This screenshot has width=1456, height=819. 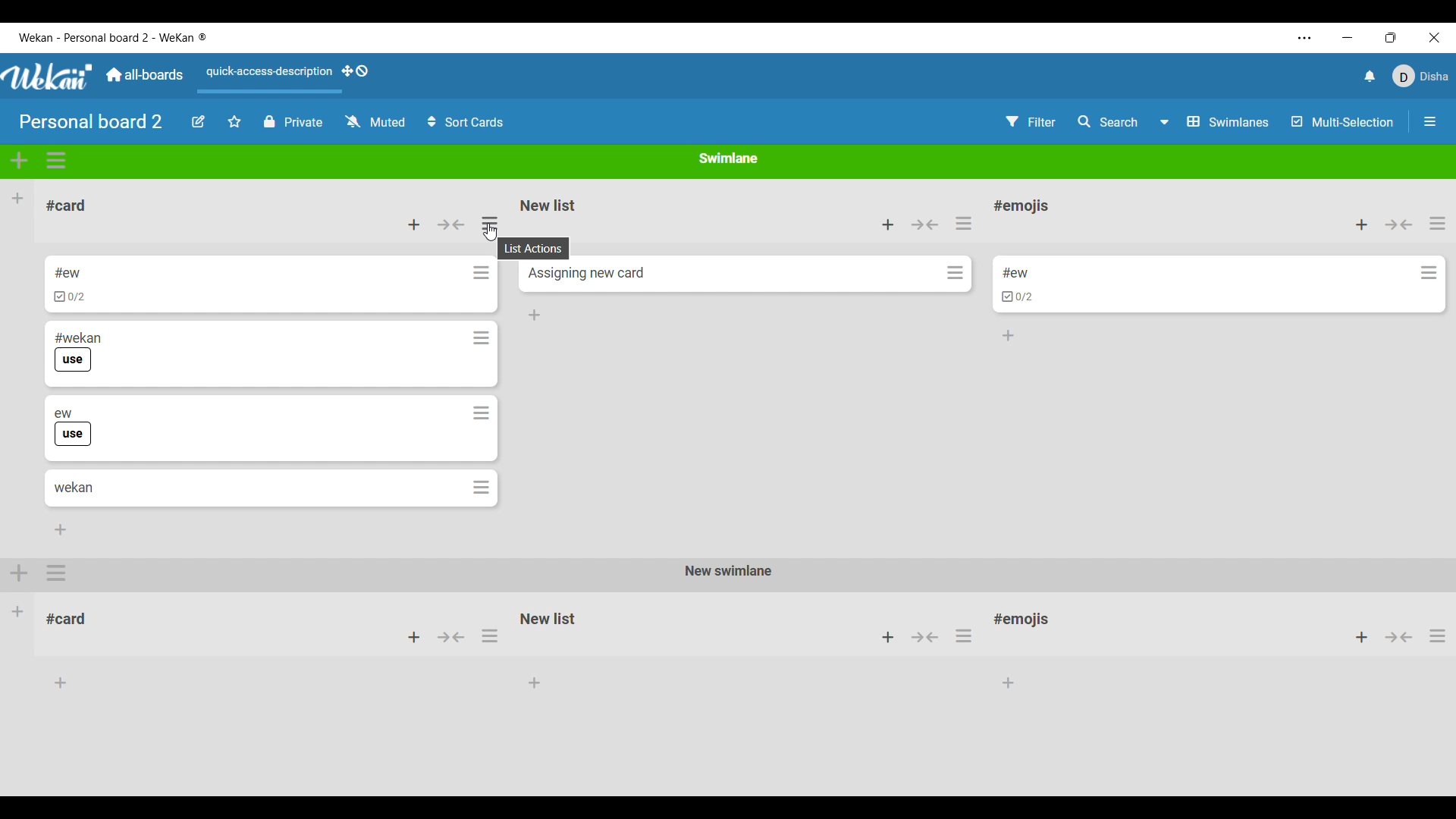 What do you see at coordinates (730, 157) in the screenshot?
I see `Name of current Swimlane` at bounding box center [730, 157].